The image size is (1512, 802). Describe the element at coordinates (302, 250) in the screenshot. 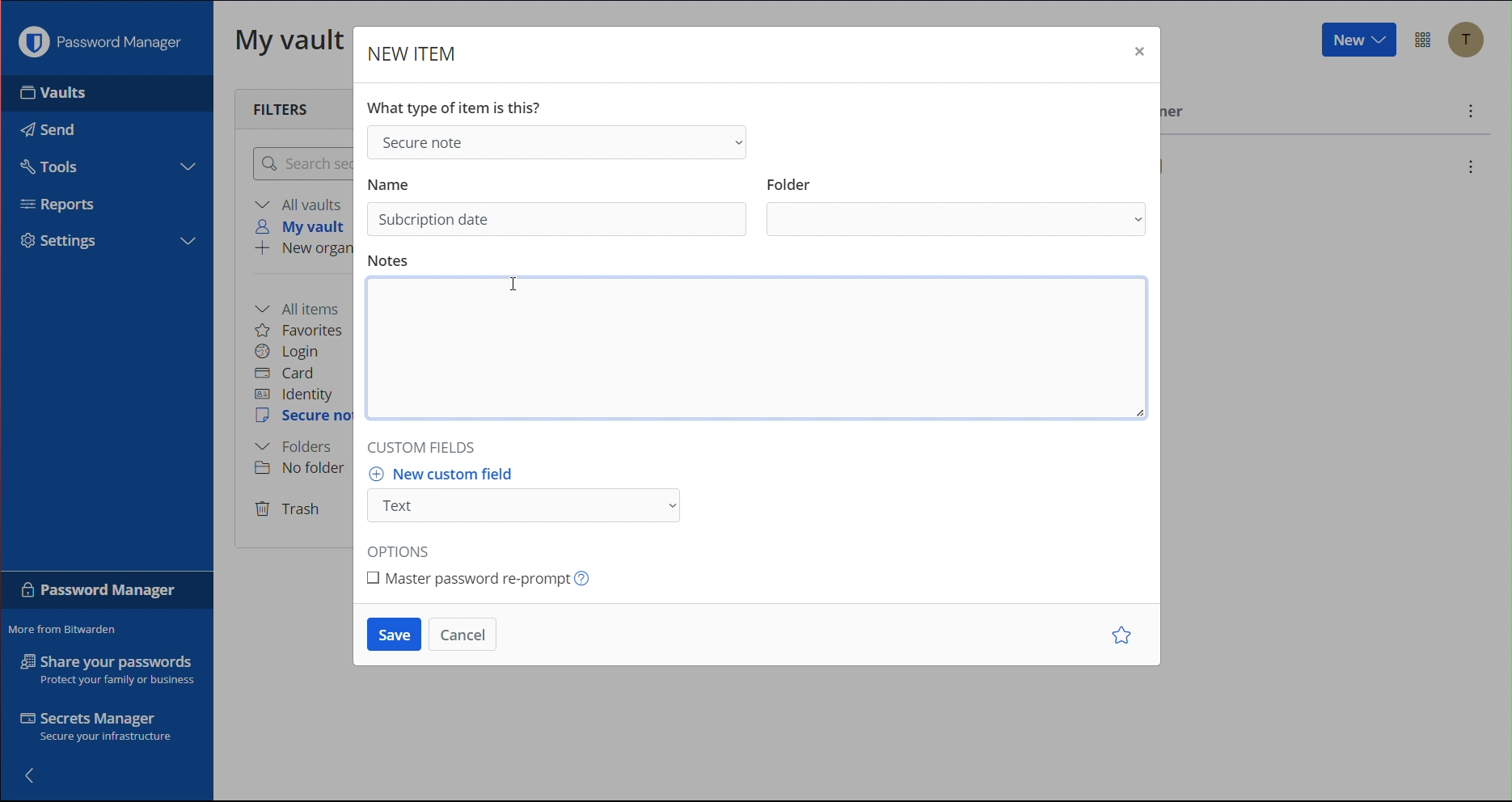

I see `New organization` at that location.